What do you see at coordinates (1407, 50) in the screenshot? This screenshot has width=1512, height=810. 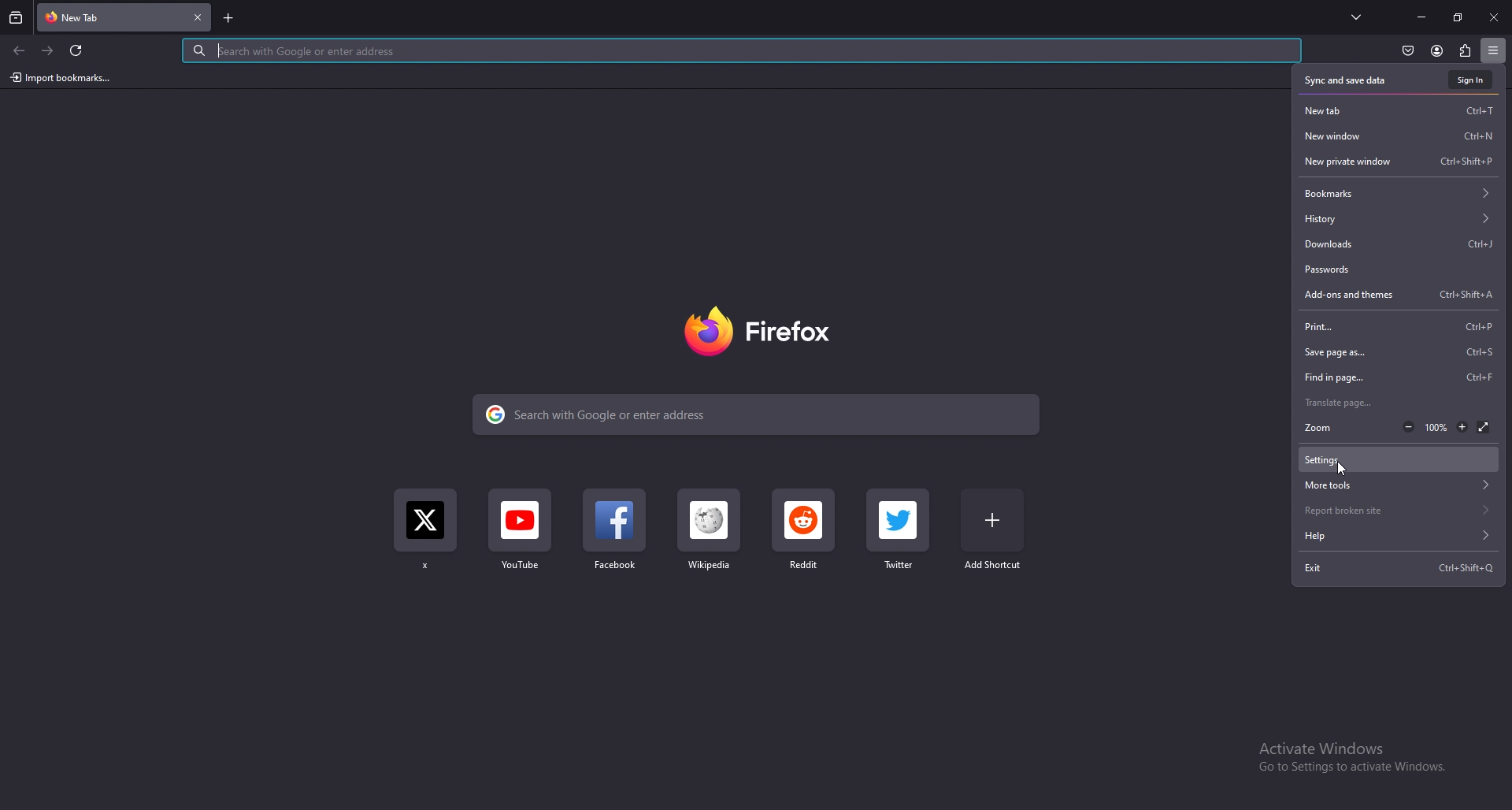 I see `pocket` at bounding box center [1407, 50].